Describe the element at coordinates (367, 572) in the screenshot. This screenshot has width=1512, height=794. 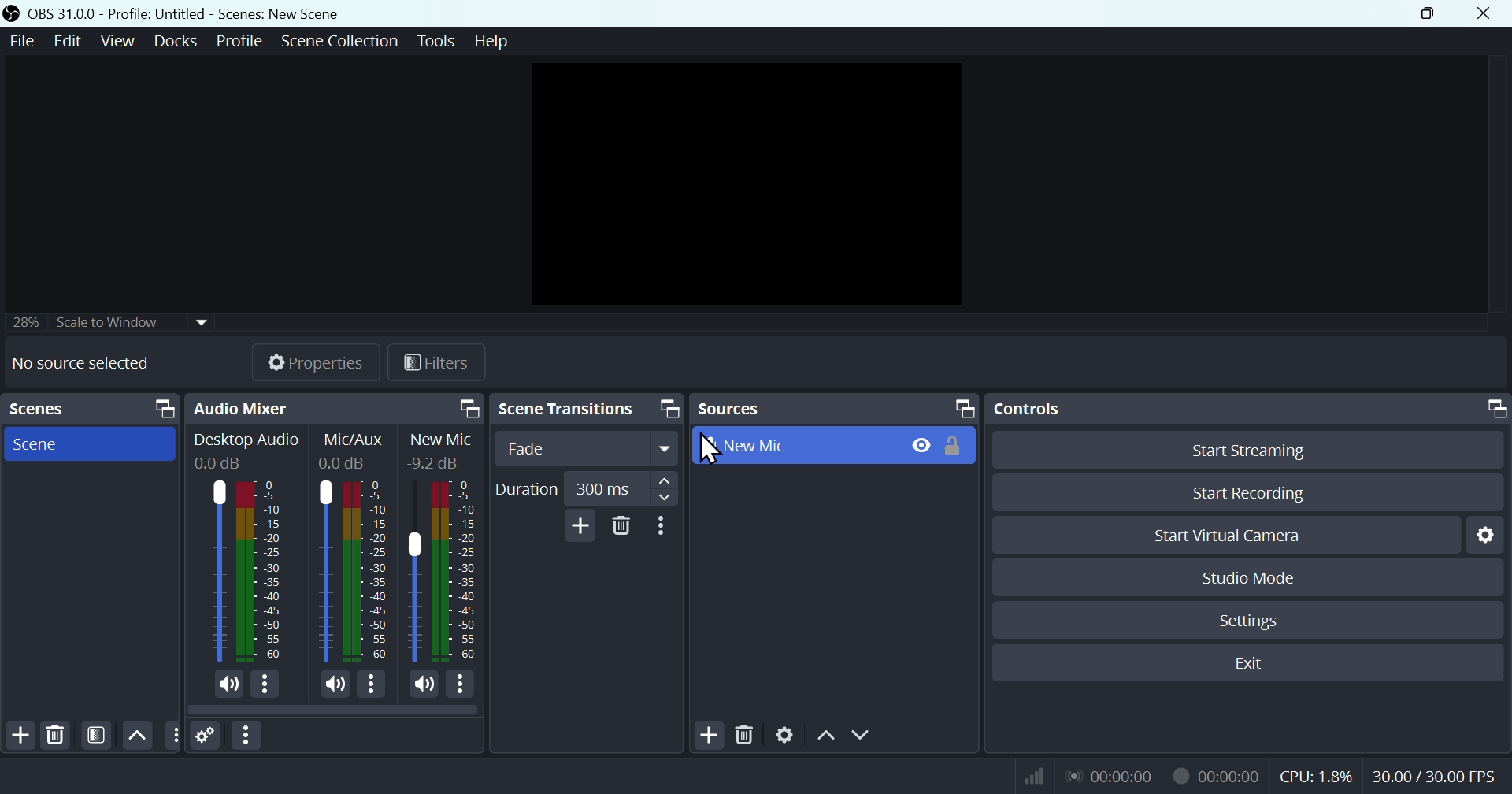
I see `Mic/Aux` at that location.